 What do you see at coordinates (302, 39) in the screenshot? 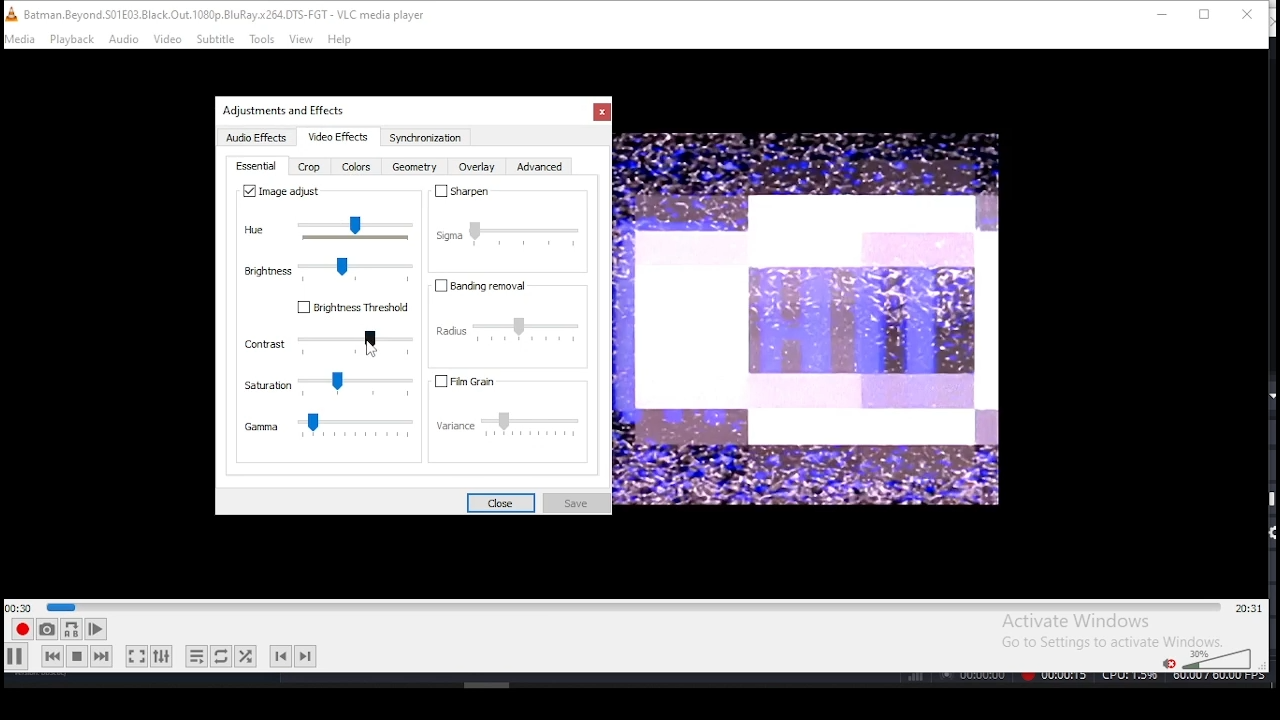
I see `view` at bounding box center [302, 39].